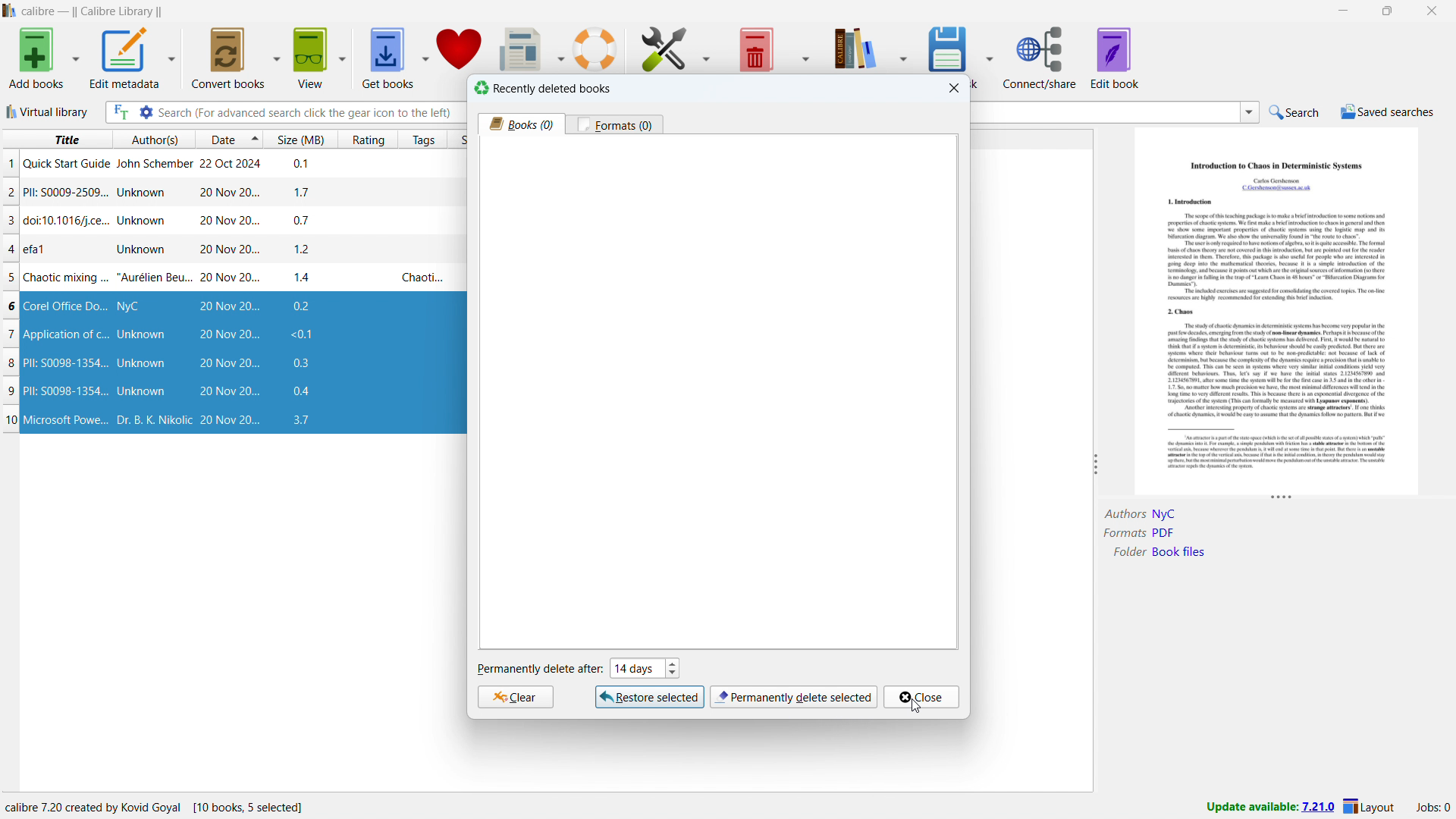 The height and width of the screenshot is (819, 1456). I want to click on sort by rating, so click(362, 140).